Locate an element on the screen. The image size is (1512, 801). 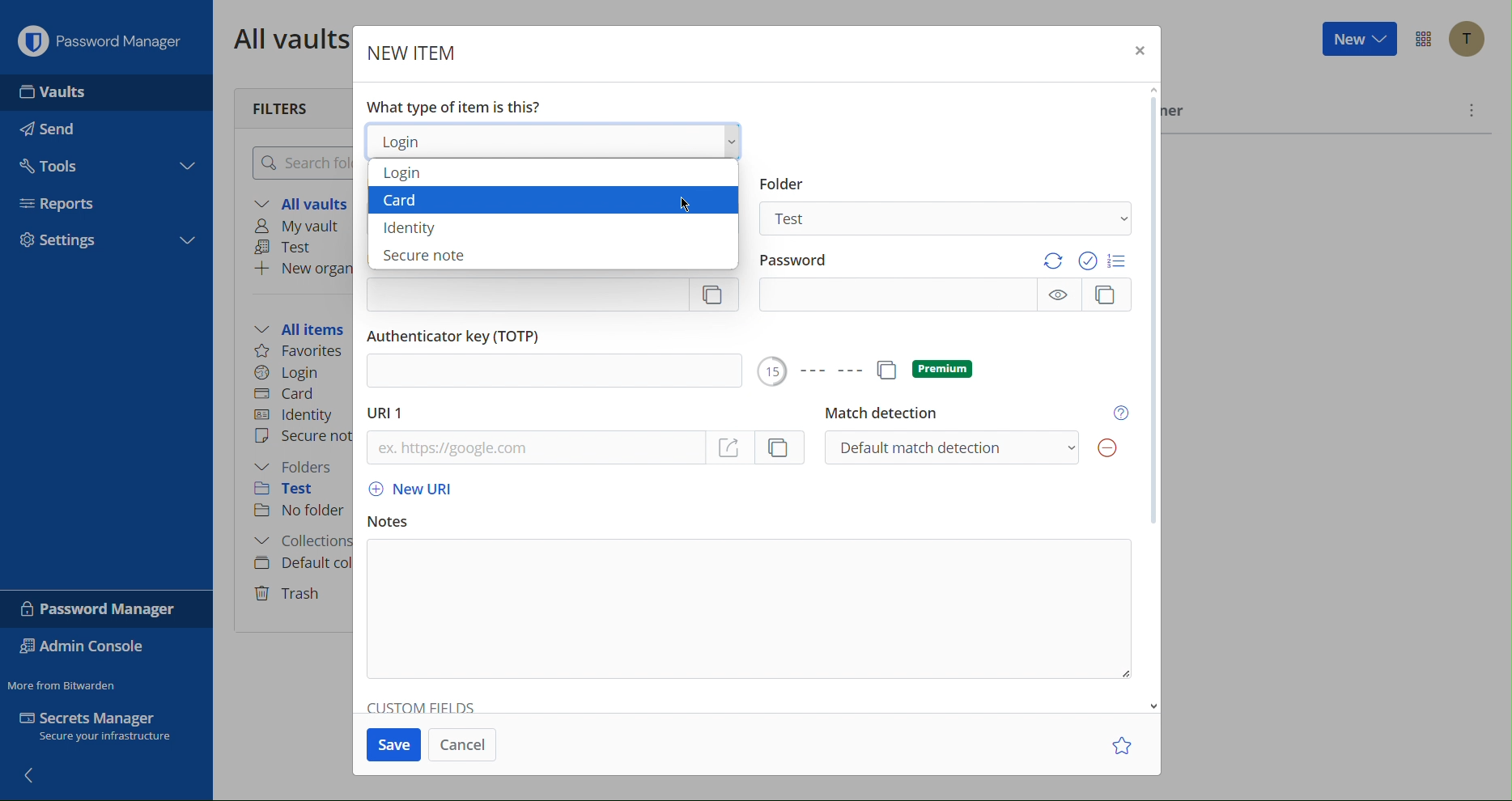
Options is located at coordinates (869, 372).